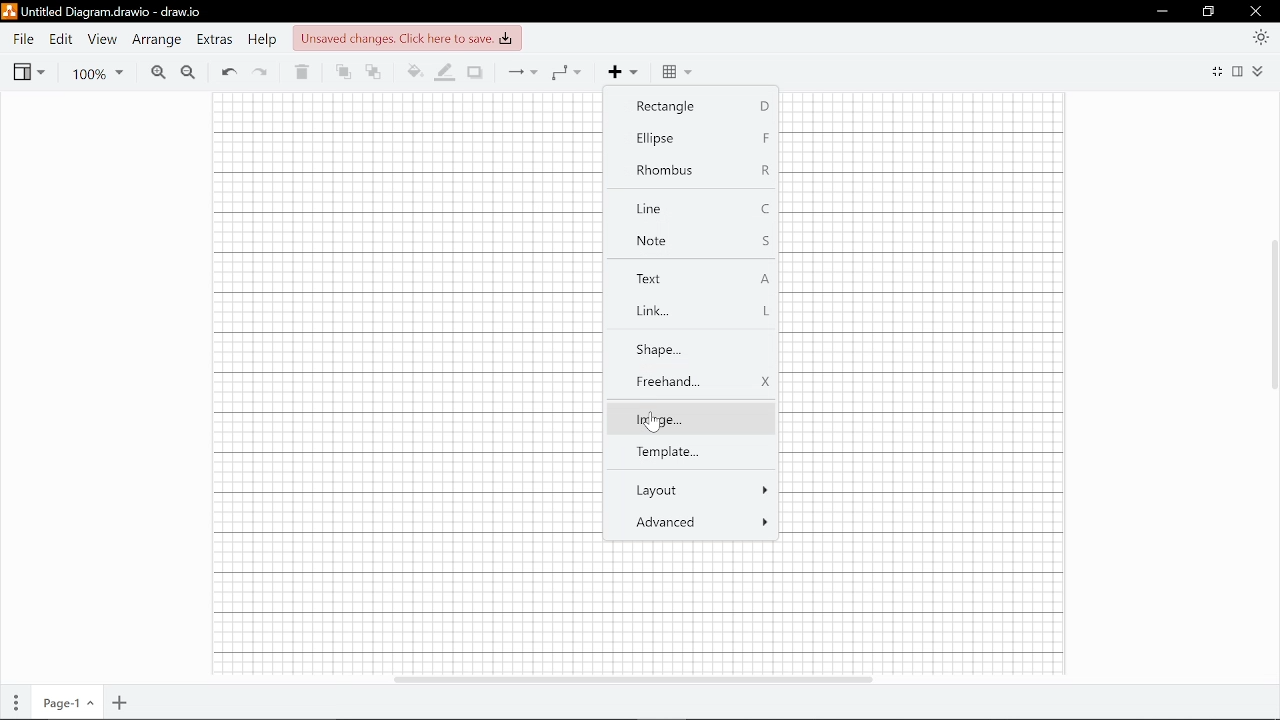 The height and width of the screenshot is (720, 1280). I want to click on View, so click(29, 71).